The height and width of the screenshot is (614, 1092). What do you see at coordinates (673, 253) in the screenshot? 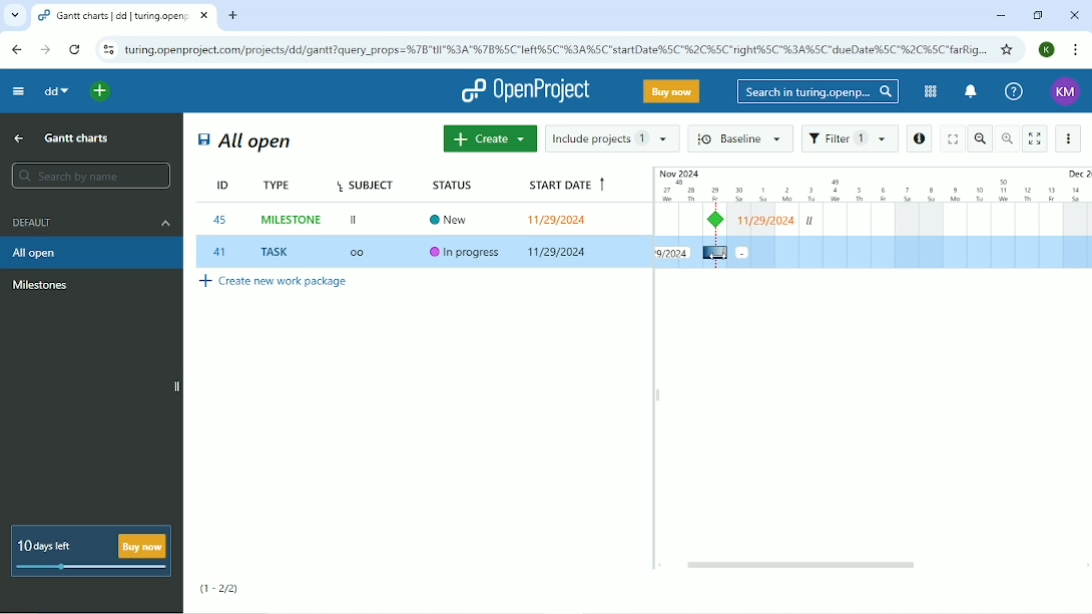
I see `Task start date` at bounding box center [673, 253].